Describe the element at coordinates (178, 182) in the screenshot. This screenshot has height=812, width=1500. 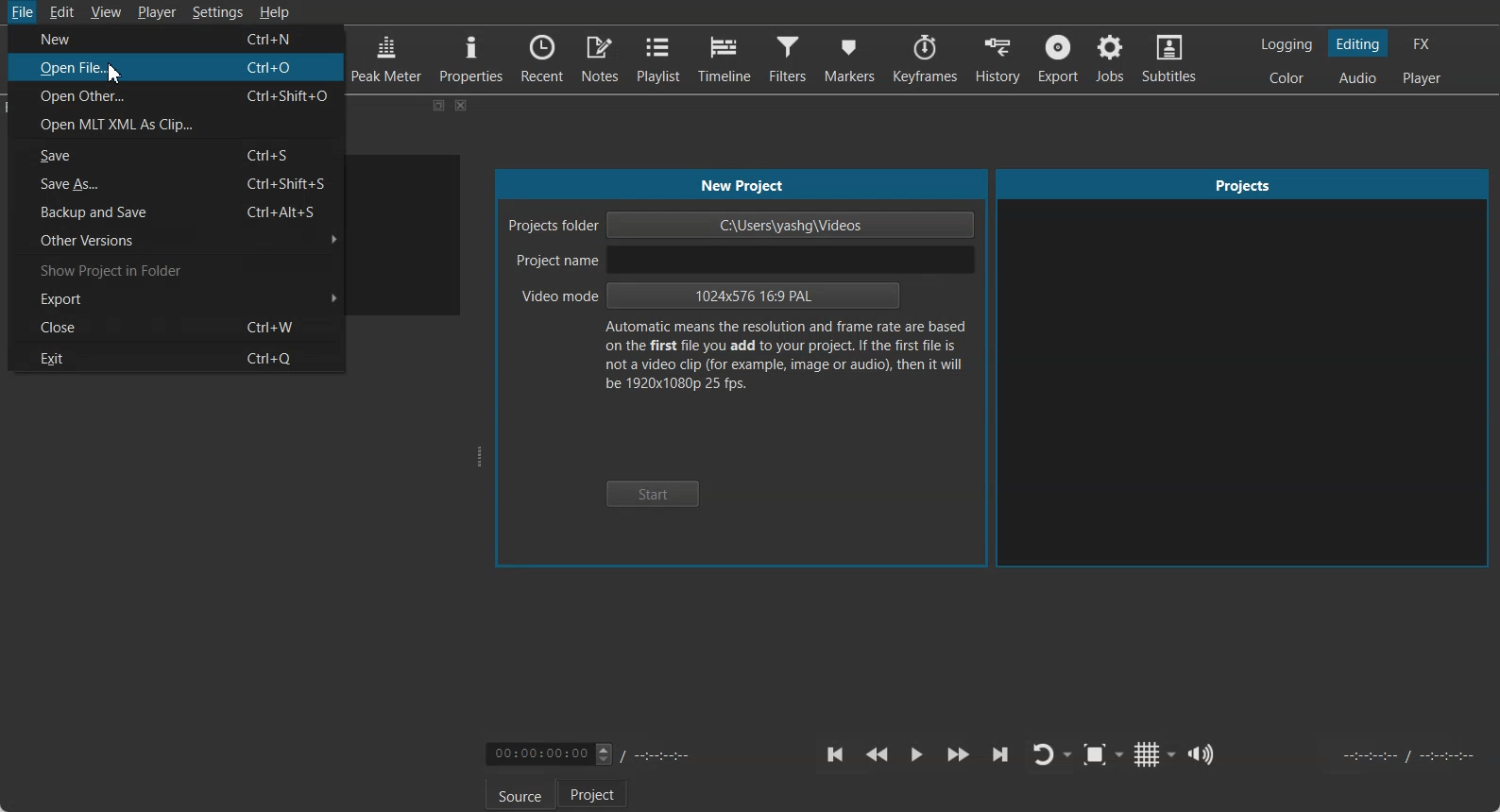
I see `Save AS` at that location.